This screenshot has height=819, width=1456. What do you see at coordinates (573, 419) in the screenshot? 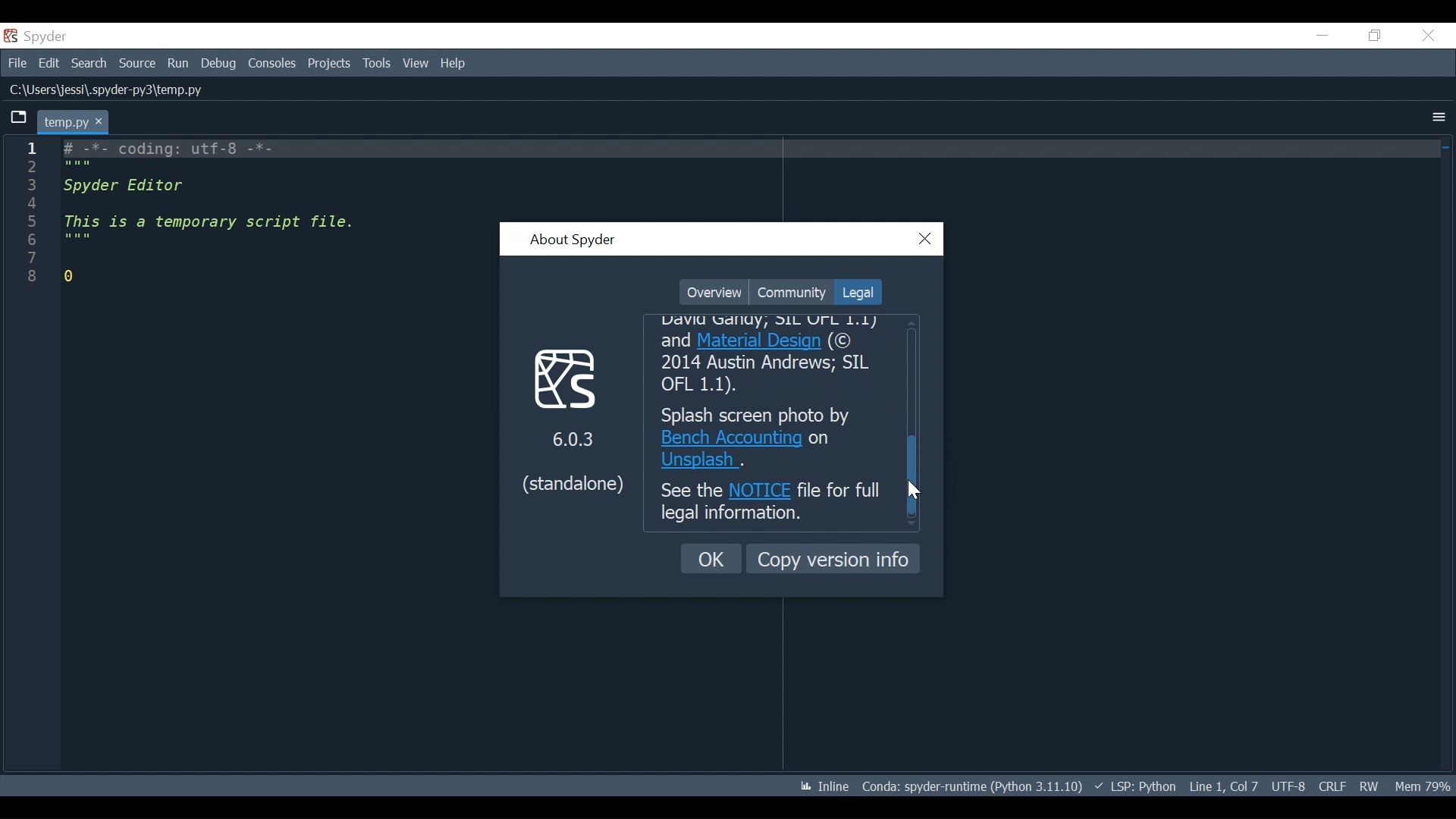
I see `6.0.3 (standalone)` at bounding box center [573, 419].